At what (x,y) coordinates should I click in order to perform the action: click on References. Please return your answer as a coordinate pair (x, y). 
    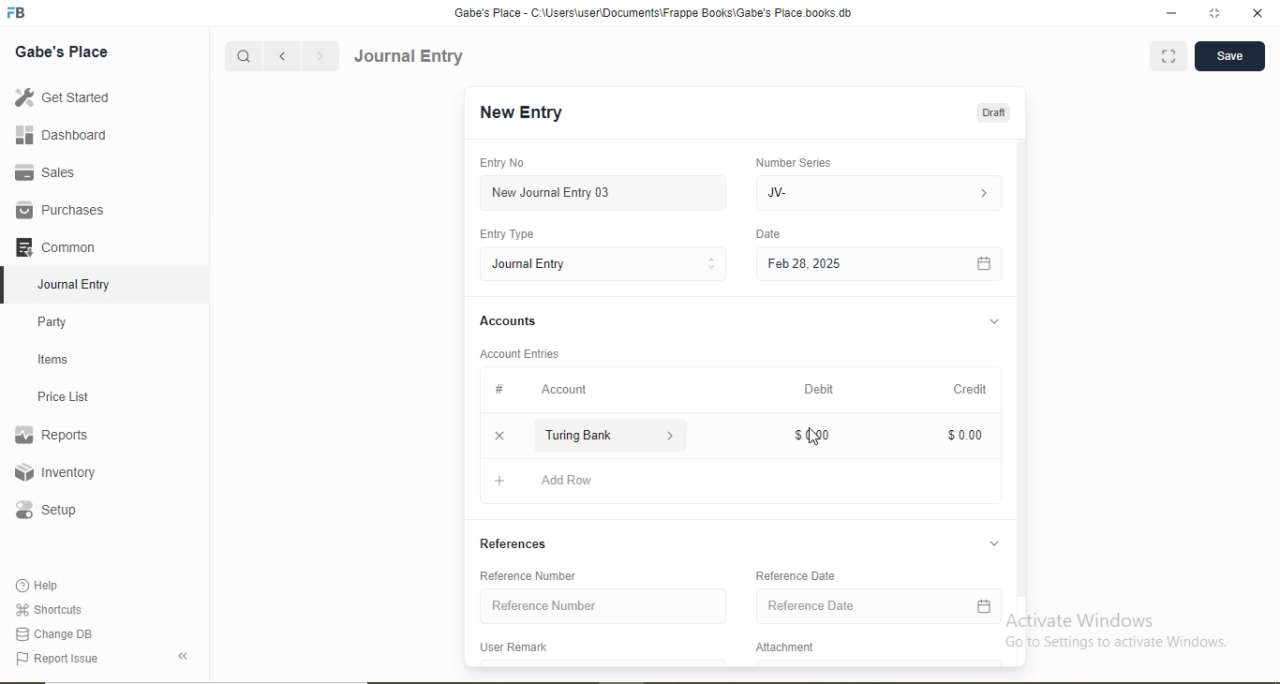
    Looking at the image, I should click on (513, 543).